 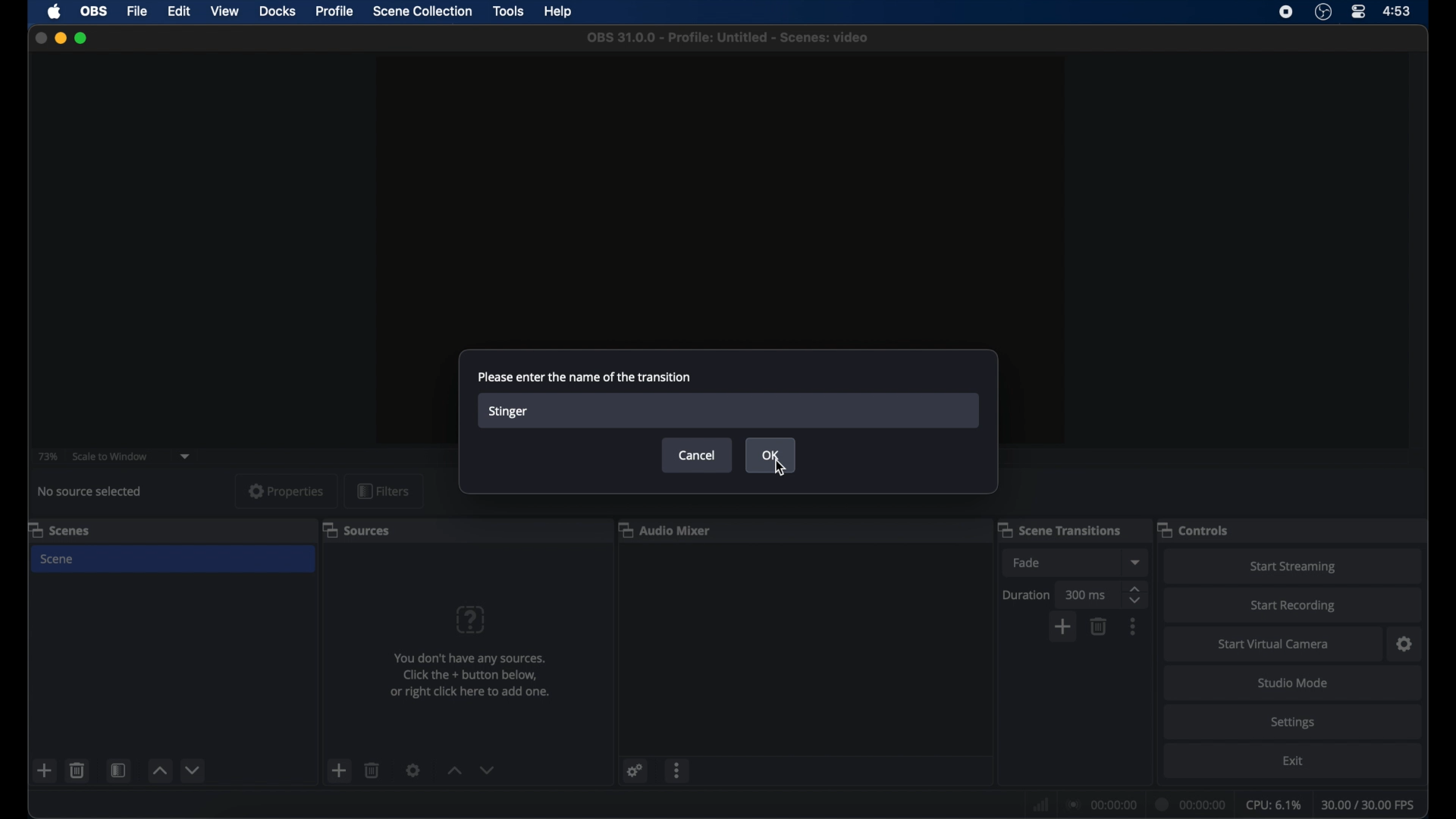 What do you see at coordinates (384, 491) in the screenshot?
I see `filters` at bounding box center [384, 491].